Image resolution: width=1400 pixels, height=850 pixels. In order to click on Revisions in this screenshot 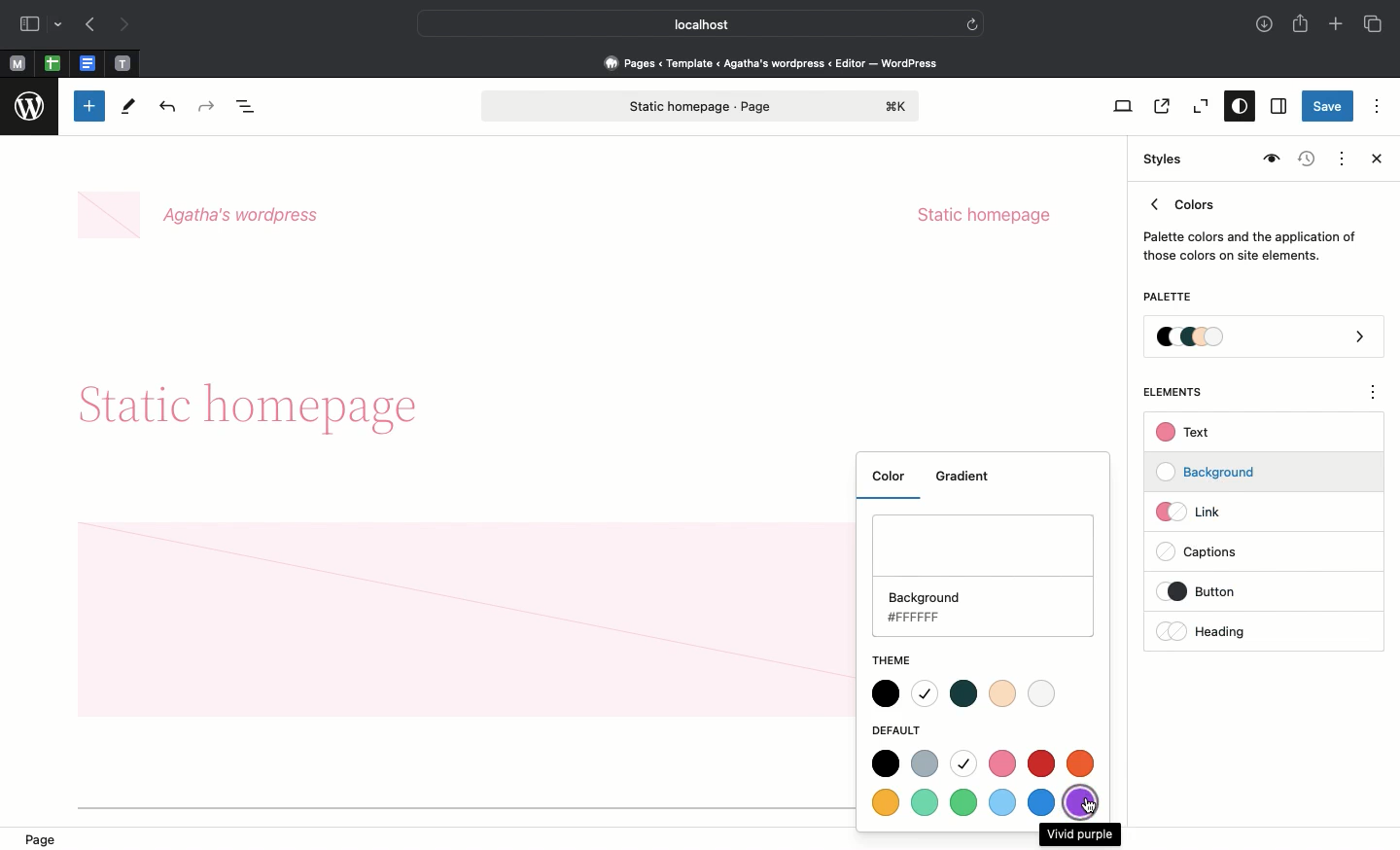, I will do `click(1304, 160)`.